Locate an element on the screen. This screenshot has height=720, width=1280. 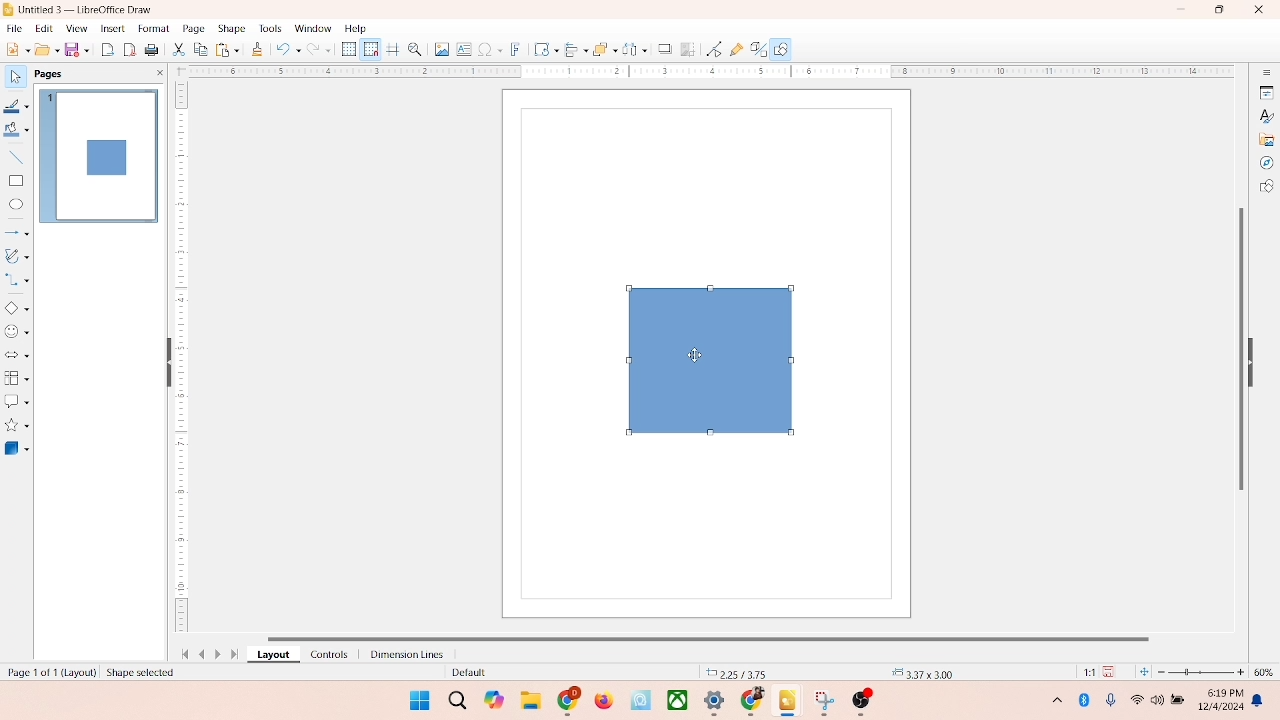
transformation is located at coordinates (541, 49).